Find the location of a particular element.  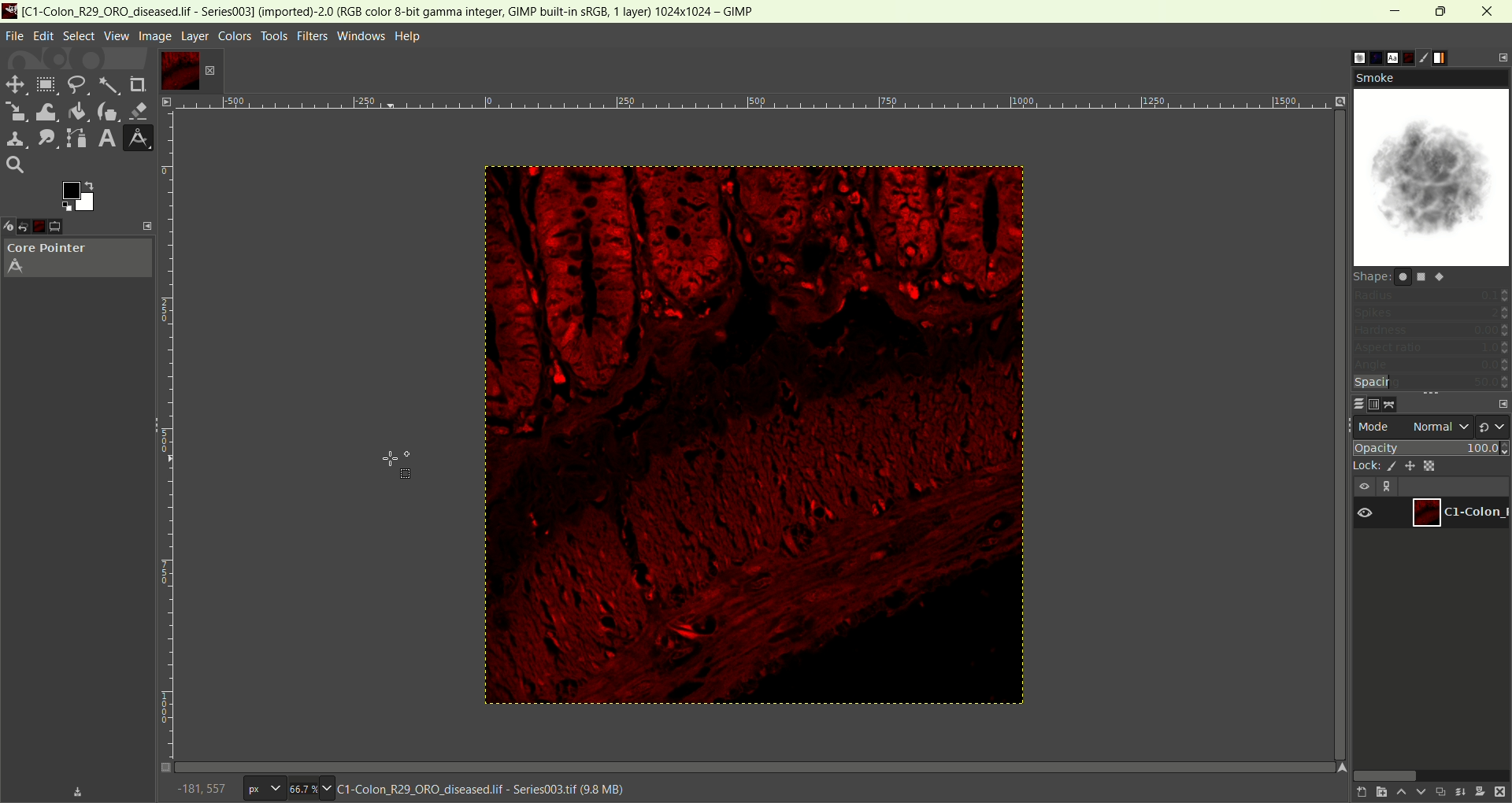

angle is located at coordinates (1431, 366).